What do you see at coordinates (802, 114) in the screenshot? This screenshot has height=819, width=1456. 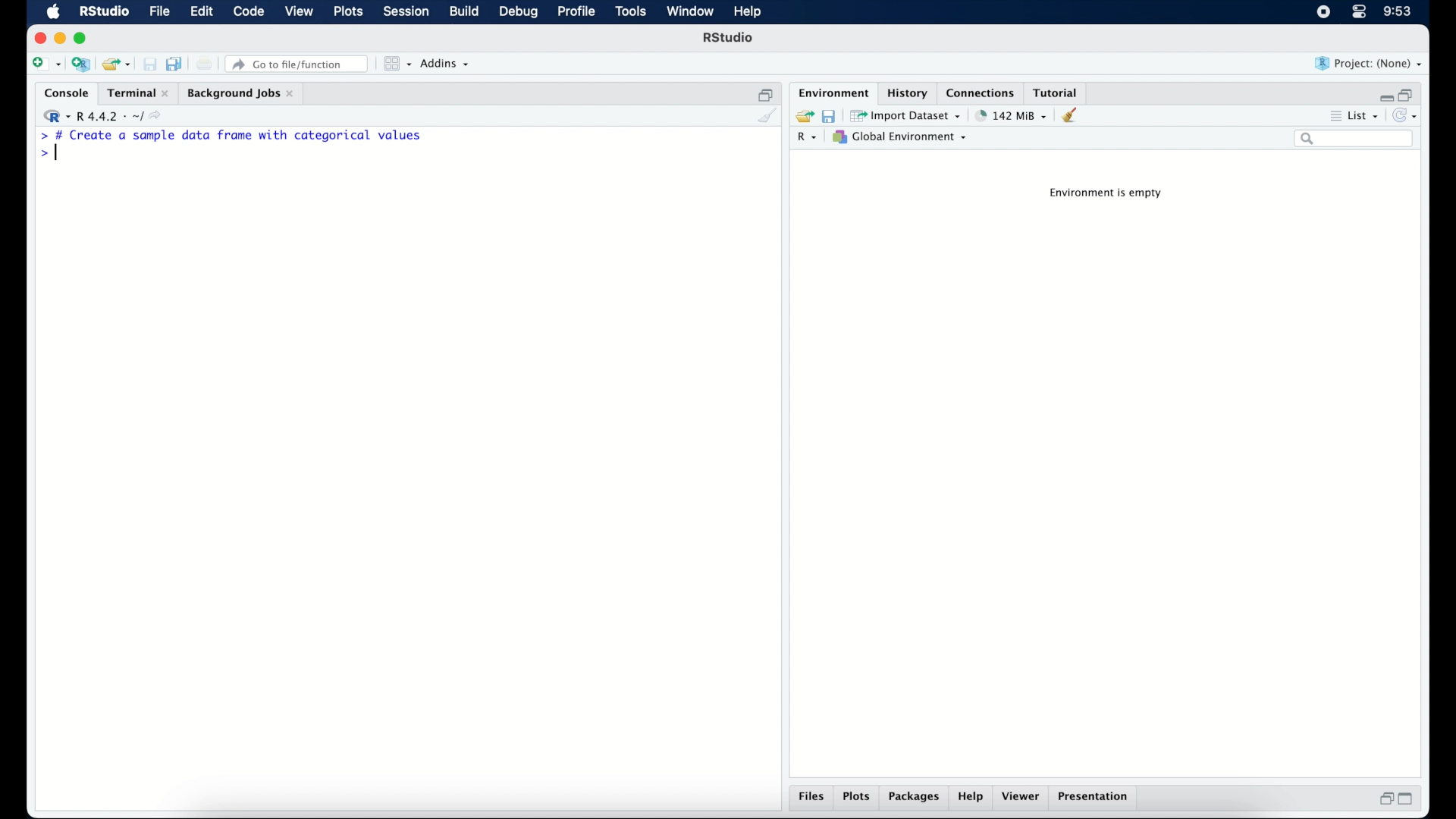 I see `load workspace` at bounding box center [802, 114].